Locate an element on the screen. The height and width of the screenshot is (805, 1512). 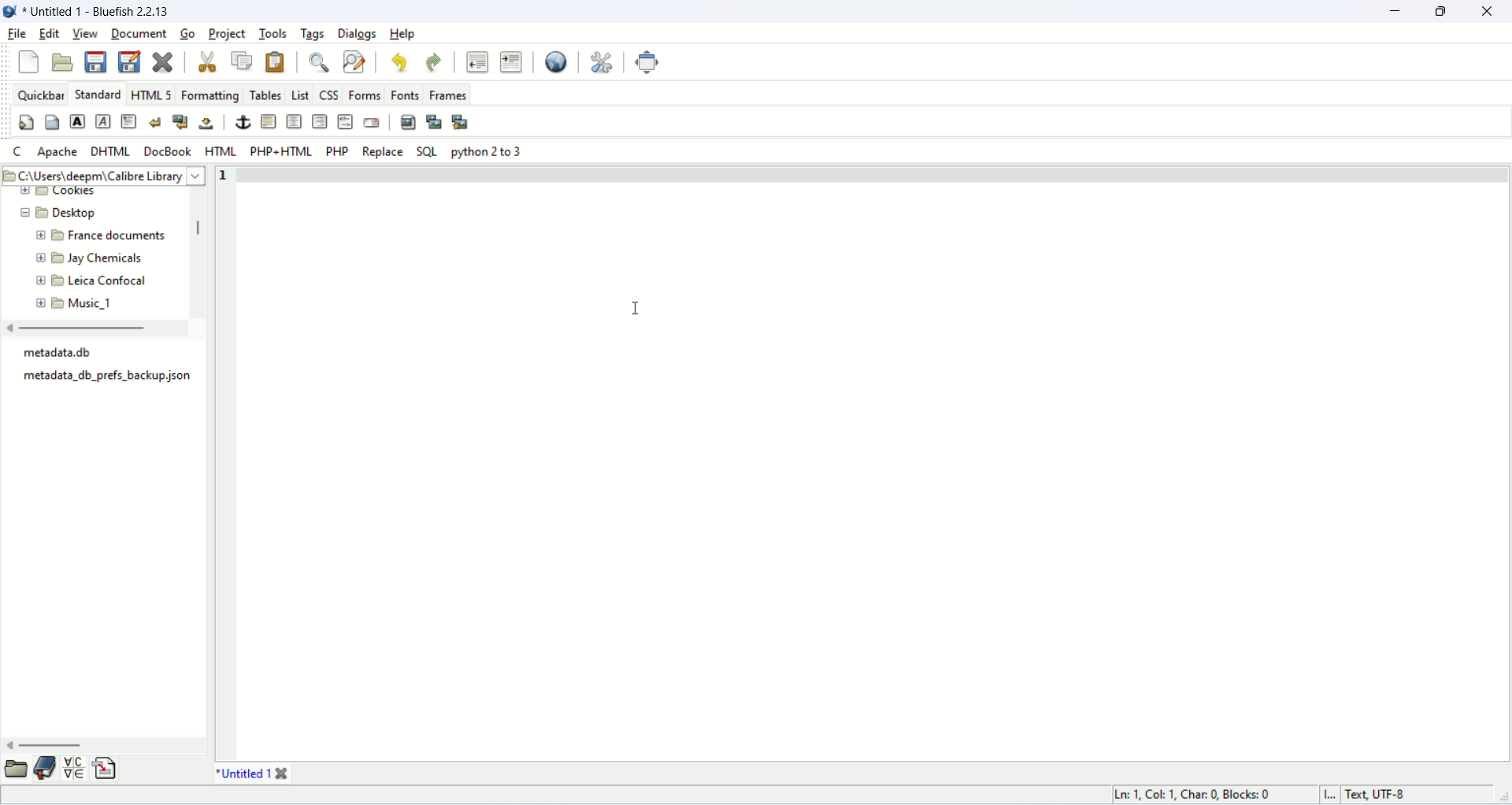
forms is located at coordinates (365, 95).